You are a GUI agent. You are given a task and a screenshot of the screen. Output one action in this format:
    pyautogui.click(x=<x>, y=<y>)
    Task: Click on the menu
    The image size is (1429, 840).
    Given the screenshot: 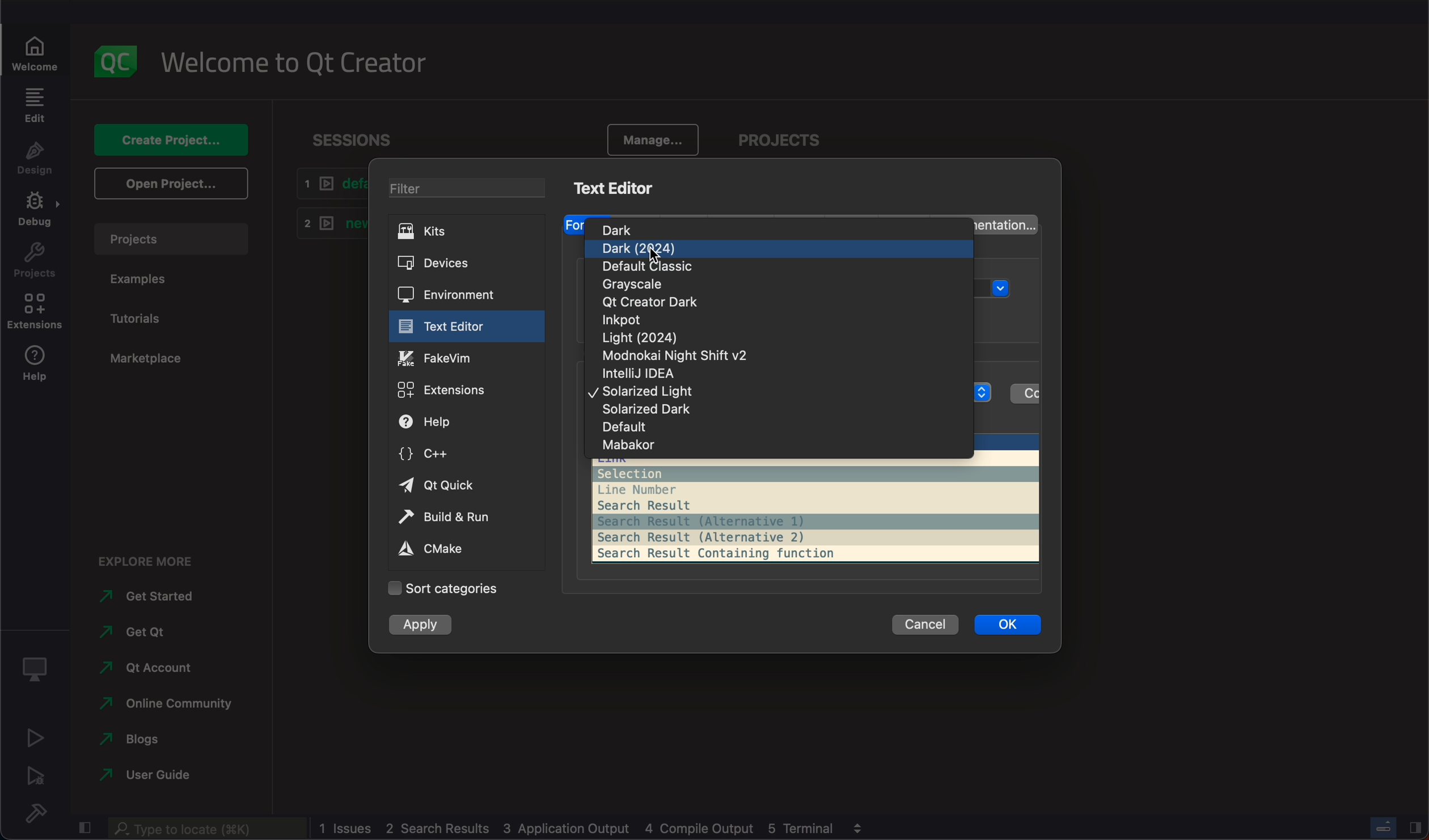 What is the action you would take?
    pyautogui.click(x=993, y=287)
    